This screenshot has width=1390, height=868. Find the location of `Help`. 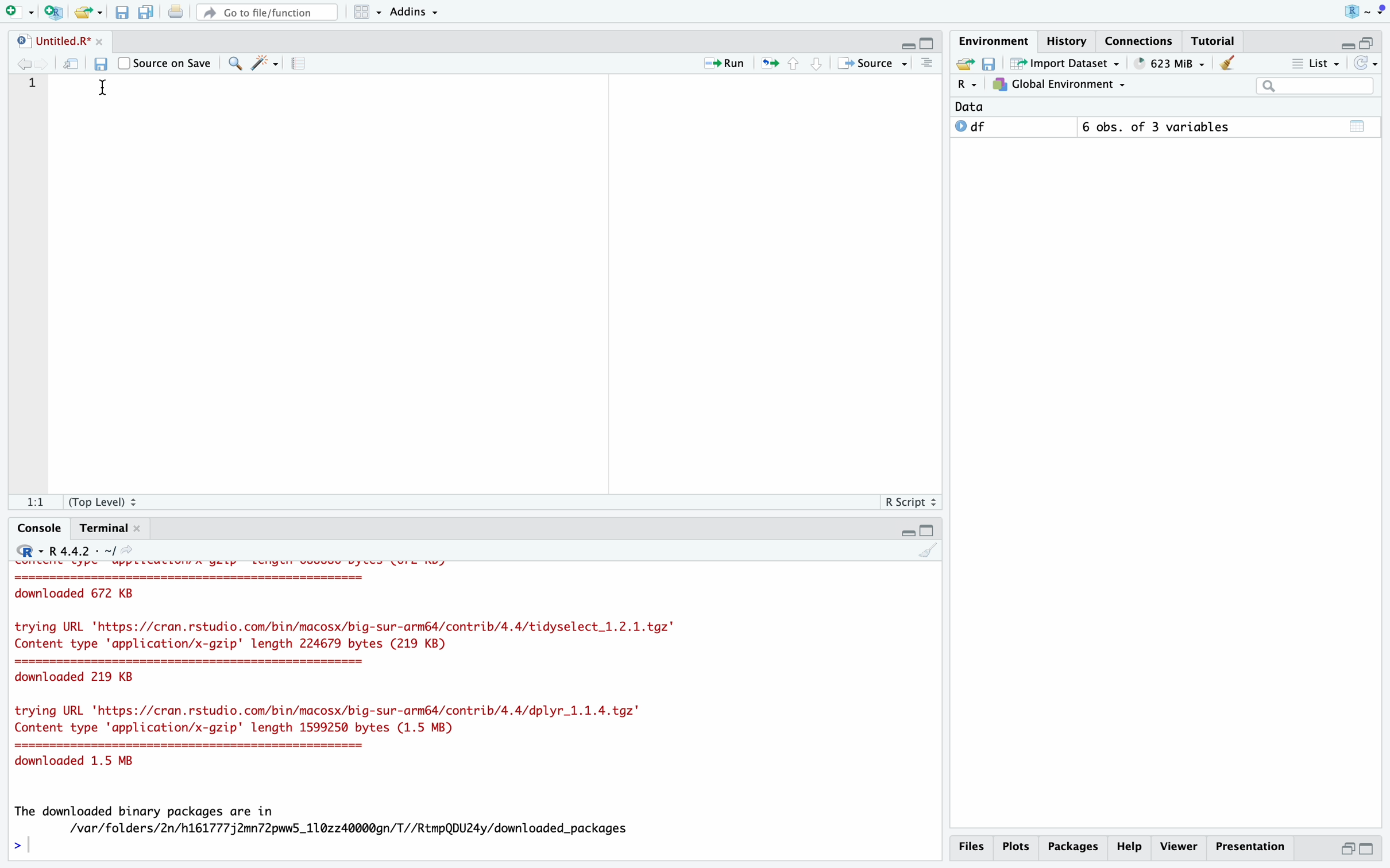

Help is located at coordinates (1130, 847).